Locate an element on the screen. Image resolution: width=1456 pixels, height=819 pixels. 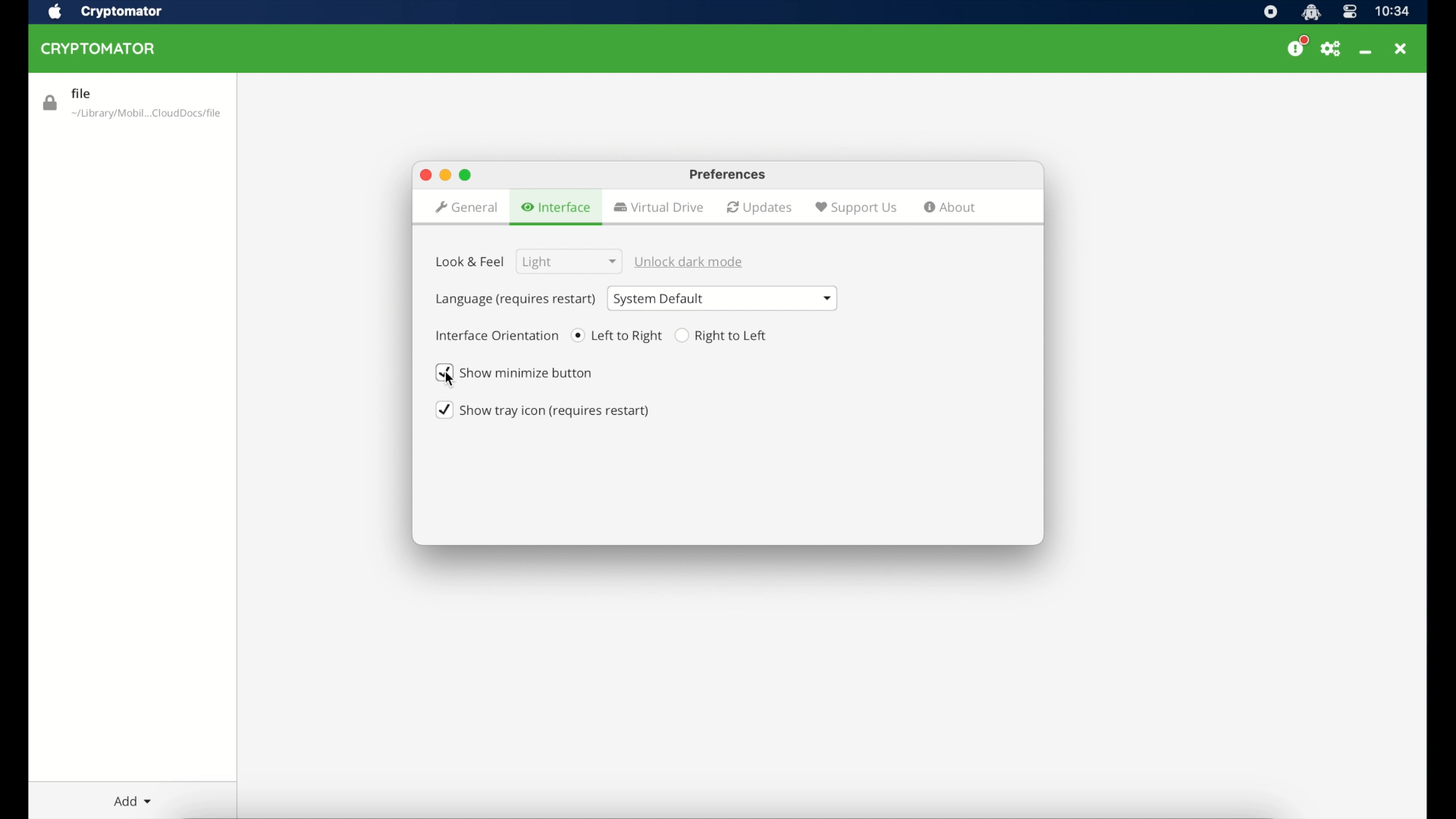
cryptomator is located at coordinates (99, 49).